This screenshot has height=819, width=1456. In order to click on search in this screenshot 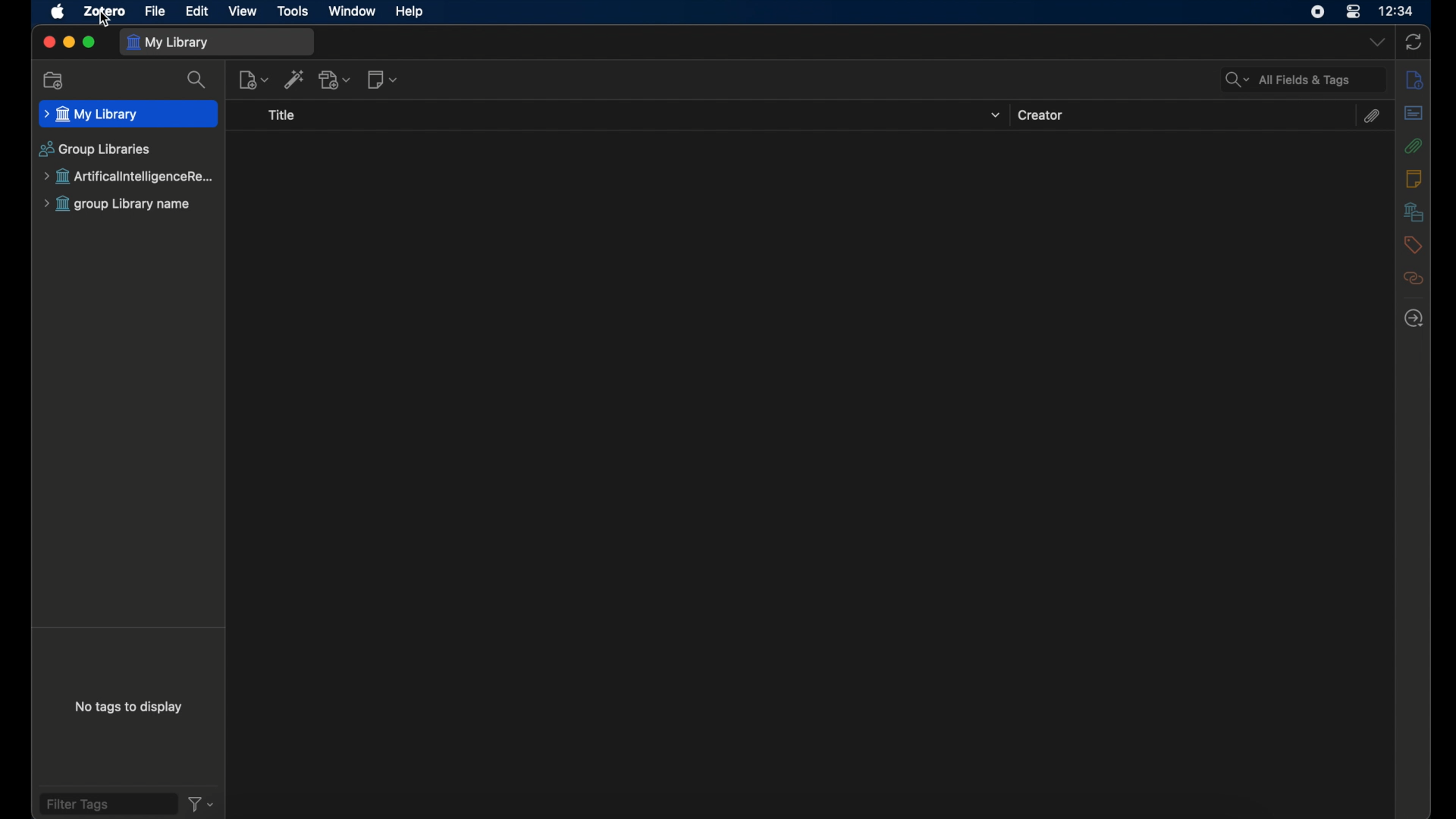, I will do `click(197, 80)`.